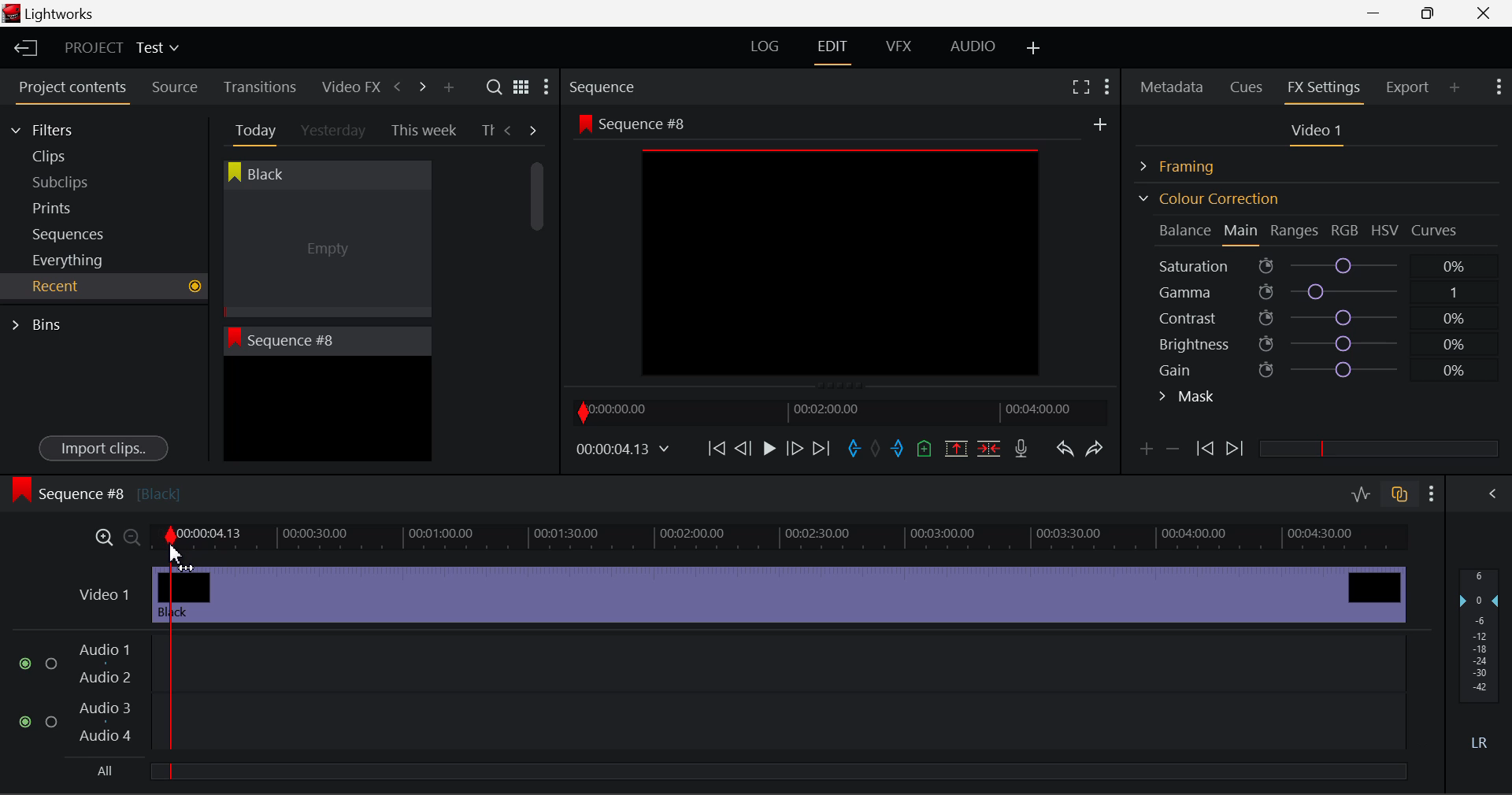 This screenshot has height=795, width=1512. Describe the element at coordinates (902, 48) in the screenshot. I see `VFX Layout` at that location.